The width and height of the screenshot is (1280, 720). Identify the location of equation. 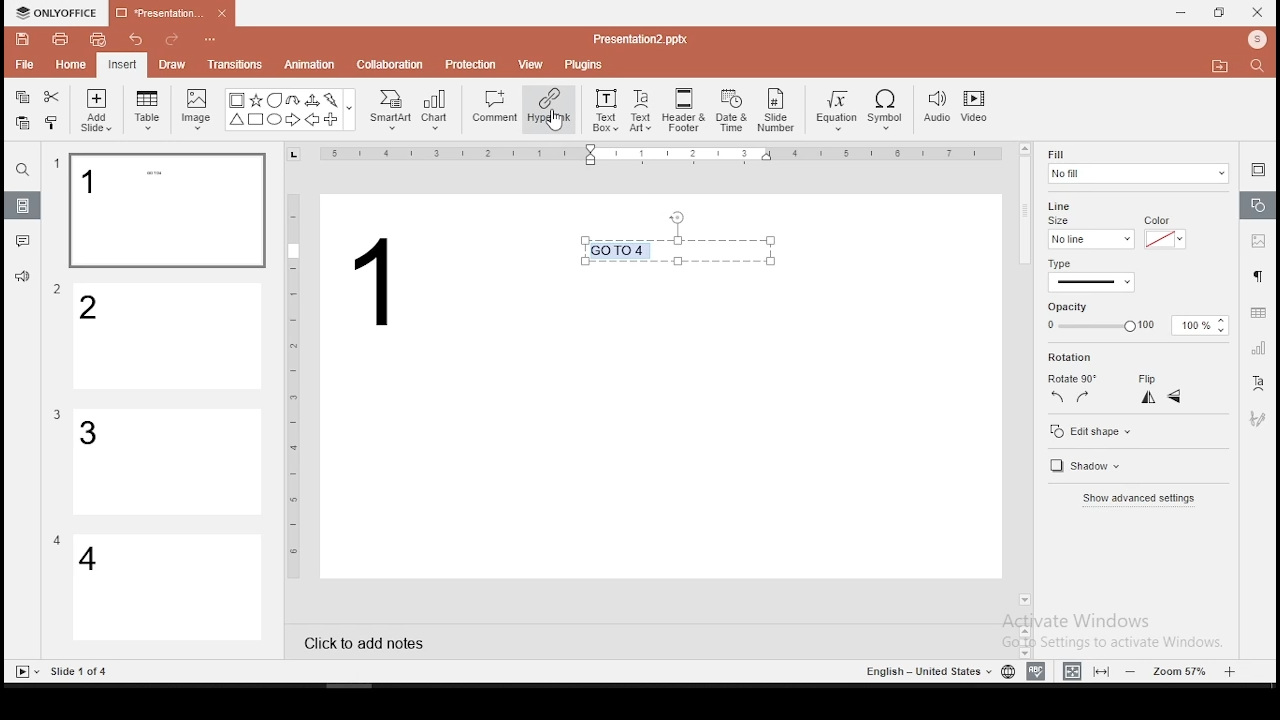
(835, 111).